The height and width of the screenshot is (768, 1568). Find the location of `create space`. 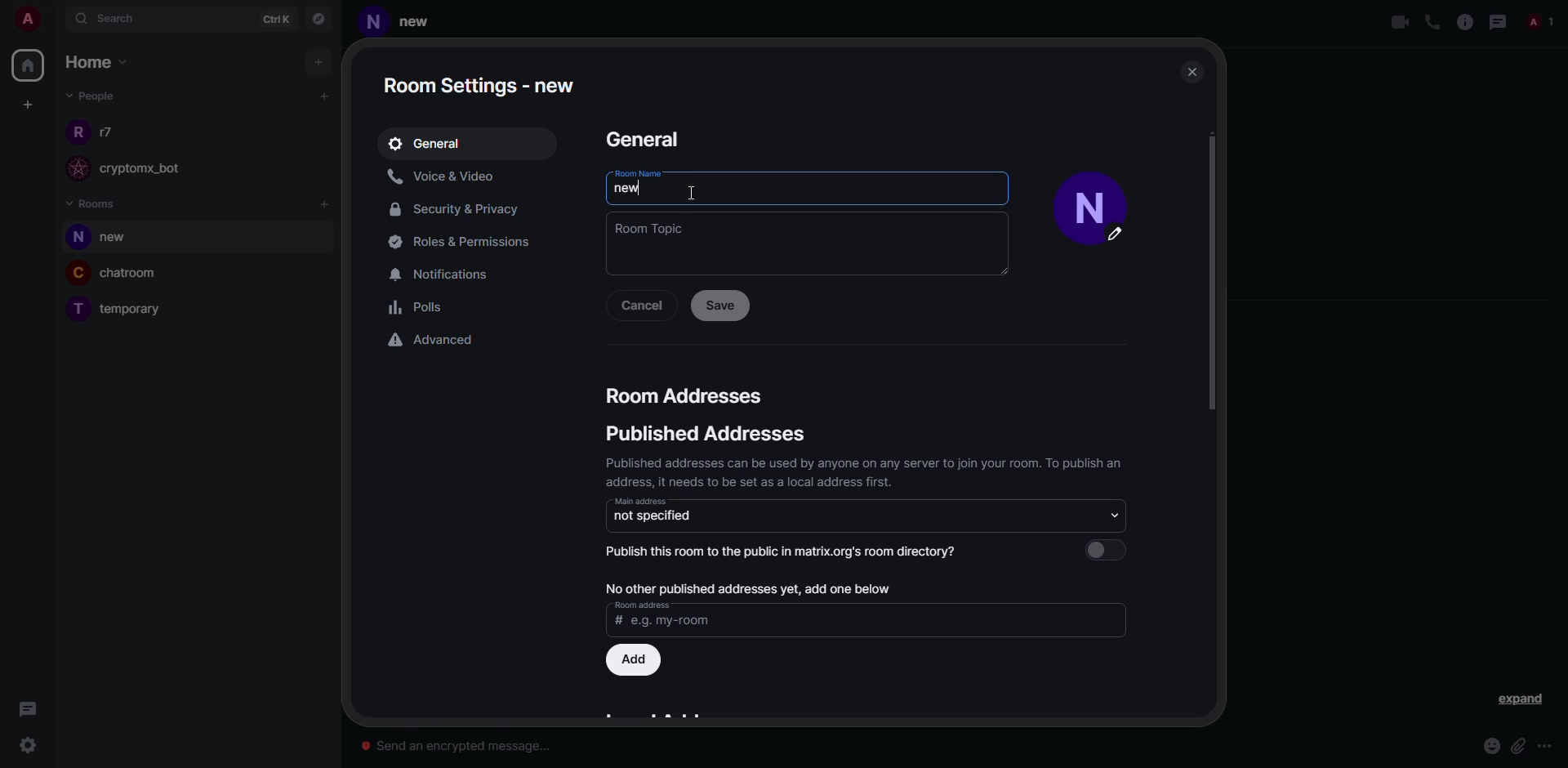

create space is located at coordinates (28, 105).